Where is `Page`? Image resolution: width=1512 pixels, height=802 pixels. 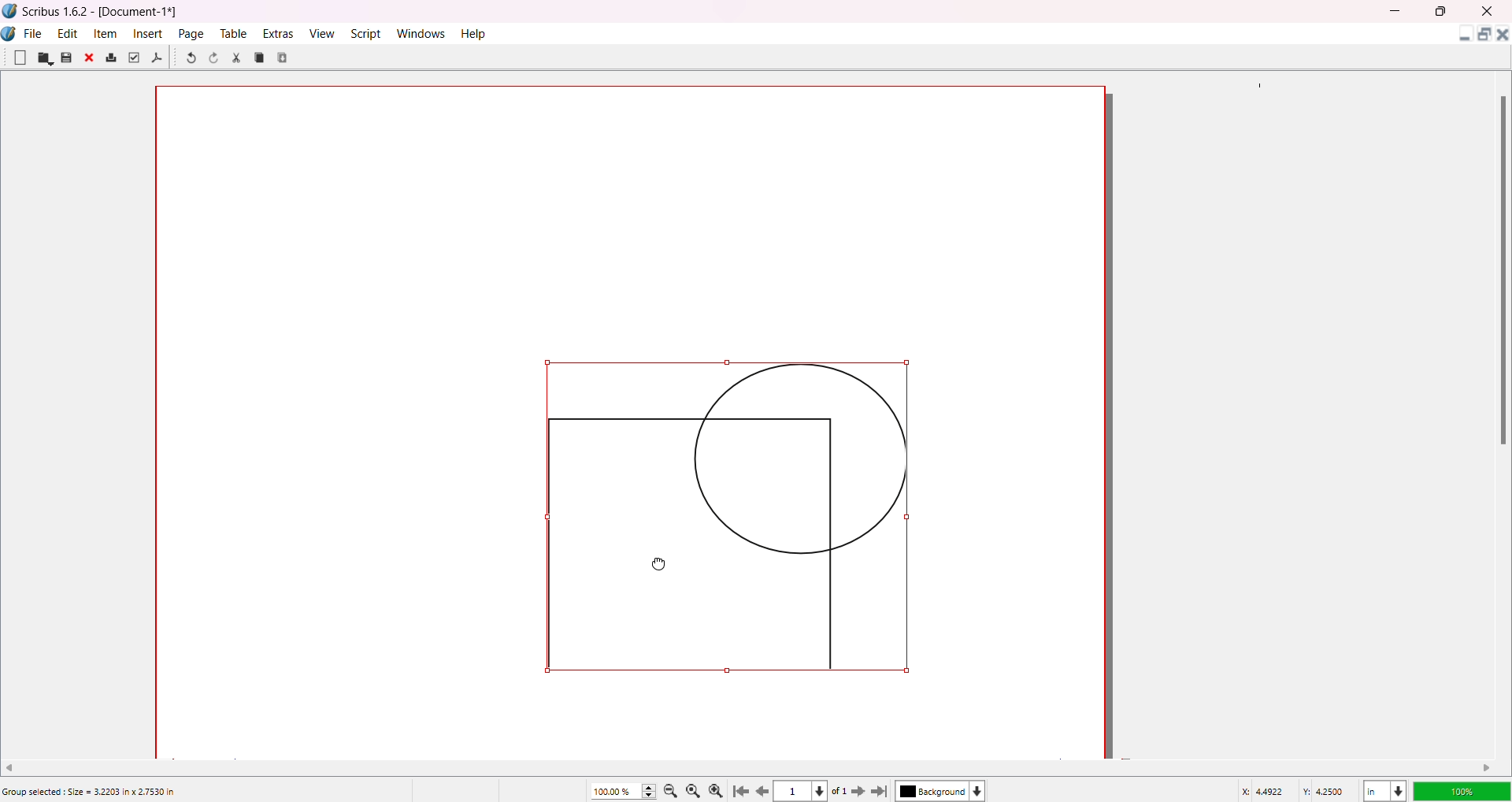 Page is located at coordinates (192, 33).